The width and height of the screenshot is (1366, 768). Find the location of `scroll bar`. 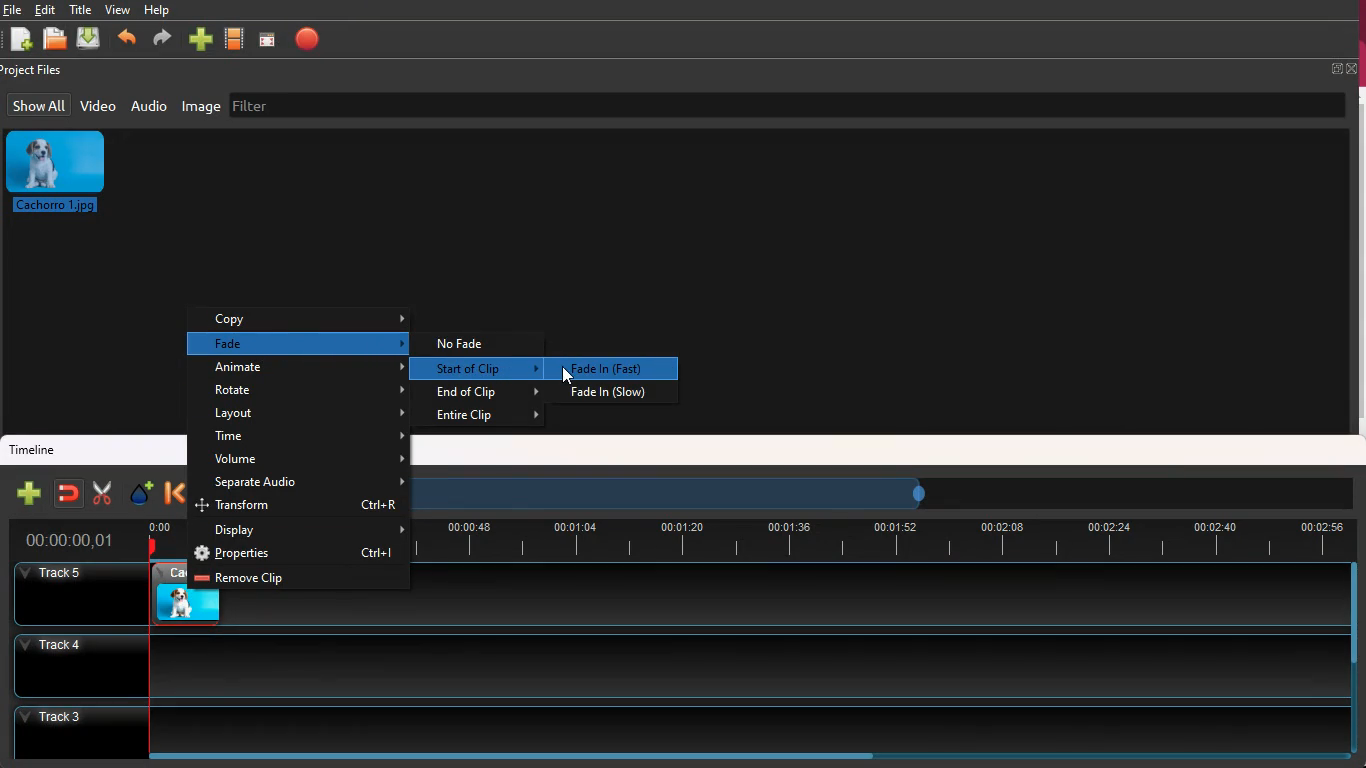

scroll bar is located at coordinates (1353, 617).